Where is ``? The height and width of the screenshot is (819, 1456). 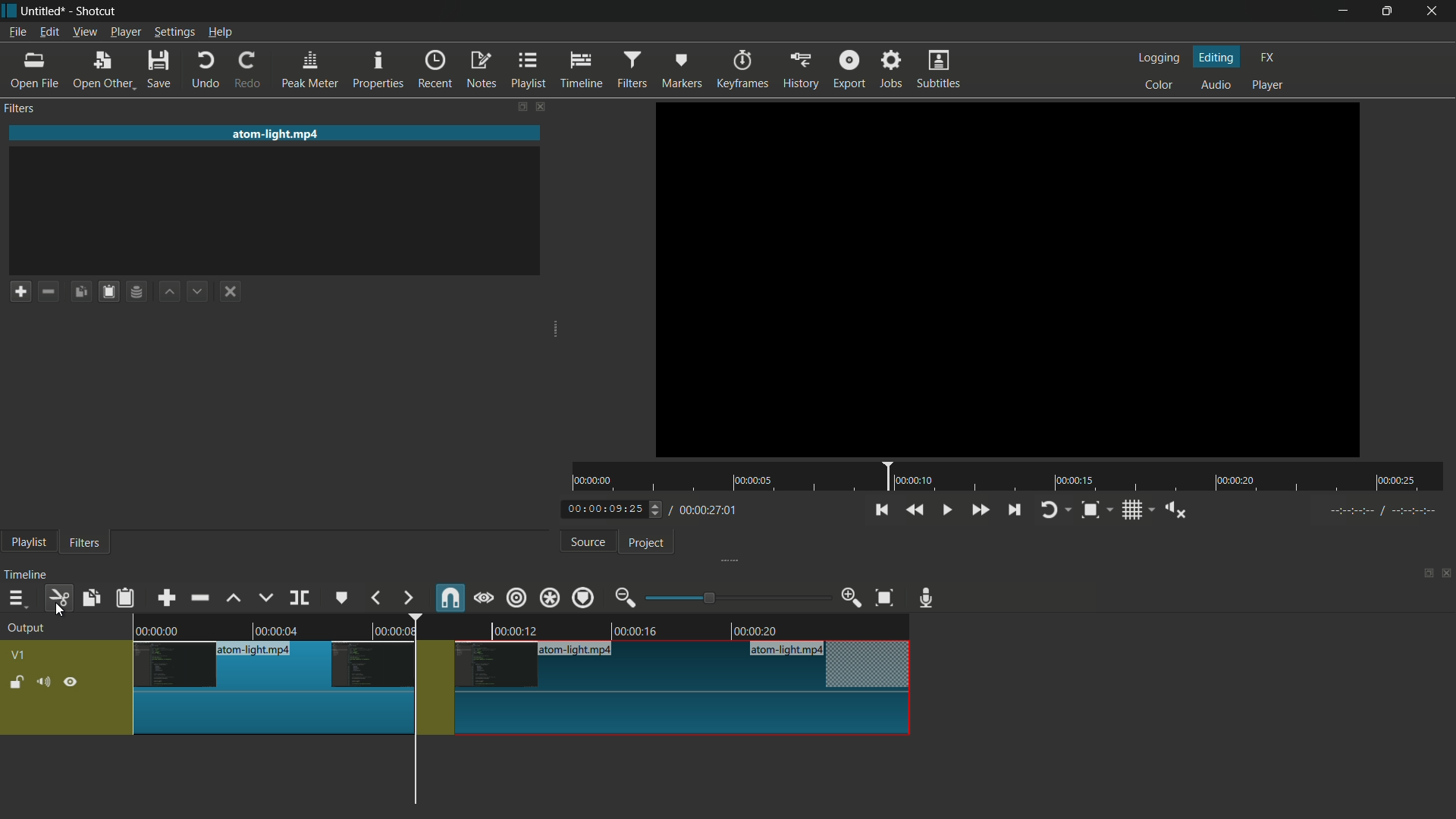  is located at coordinates (1007, 281).